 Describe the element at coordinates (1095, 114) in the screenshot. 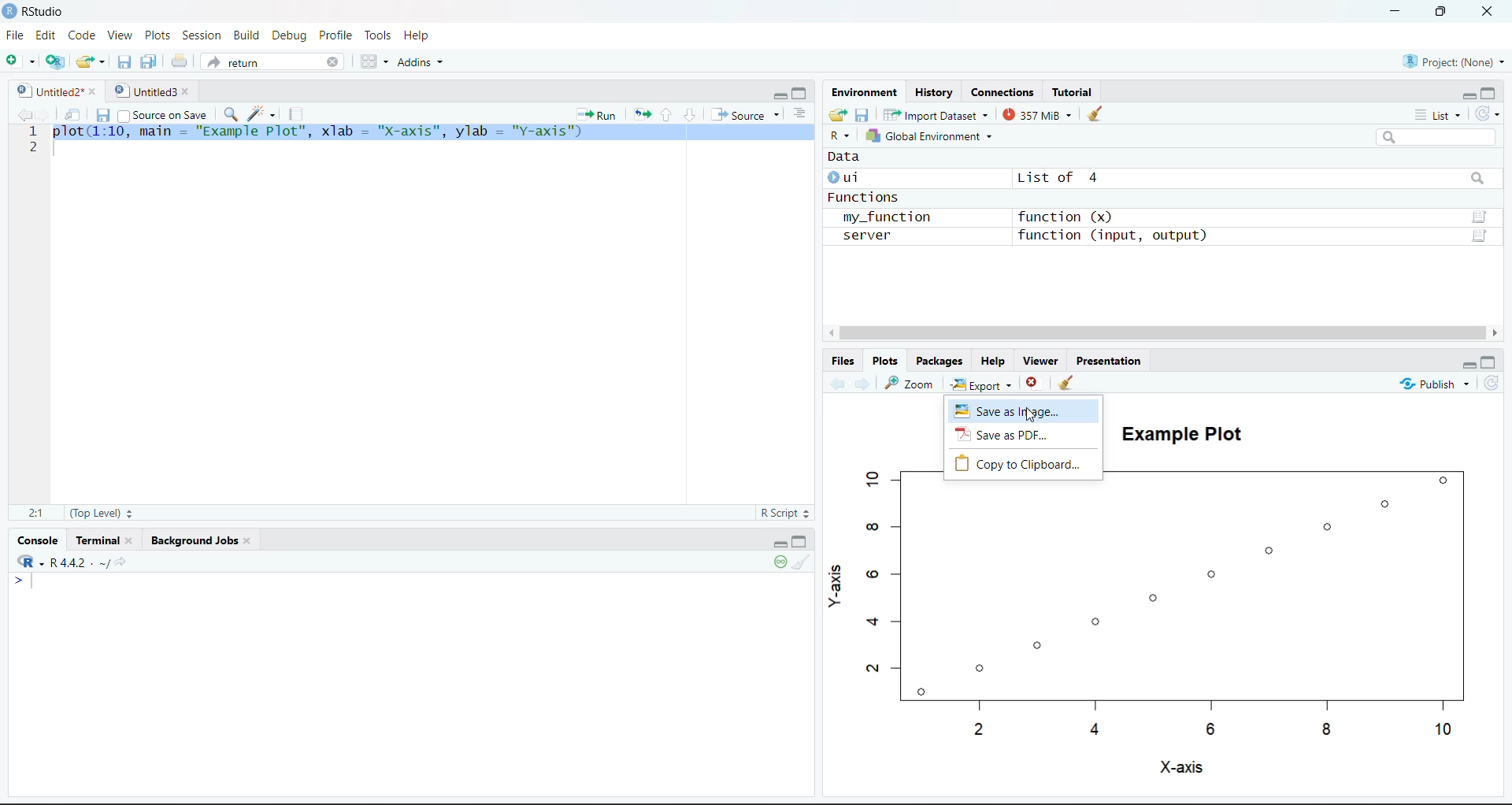

I see `Clear console (Ctrl + L)` at that location.